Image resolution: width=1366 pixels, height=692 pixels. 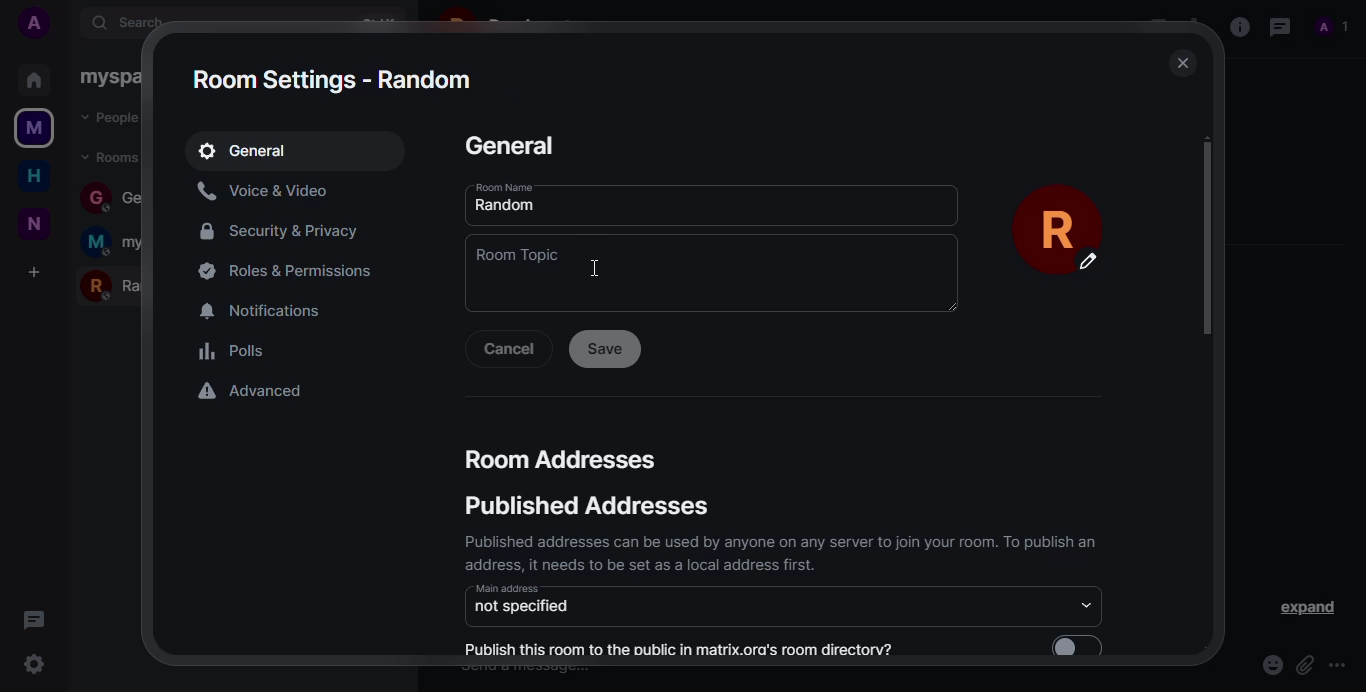 What do you see at coordinates (1302, 665) in the screenshot?
I see `attach` at bounding box center [1302, 665].